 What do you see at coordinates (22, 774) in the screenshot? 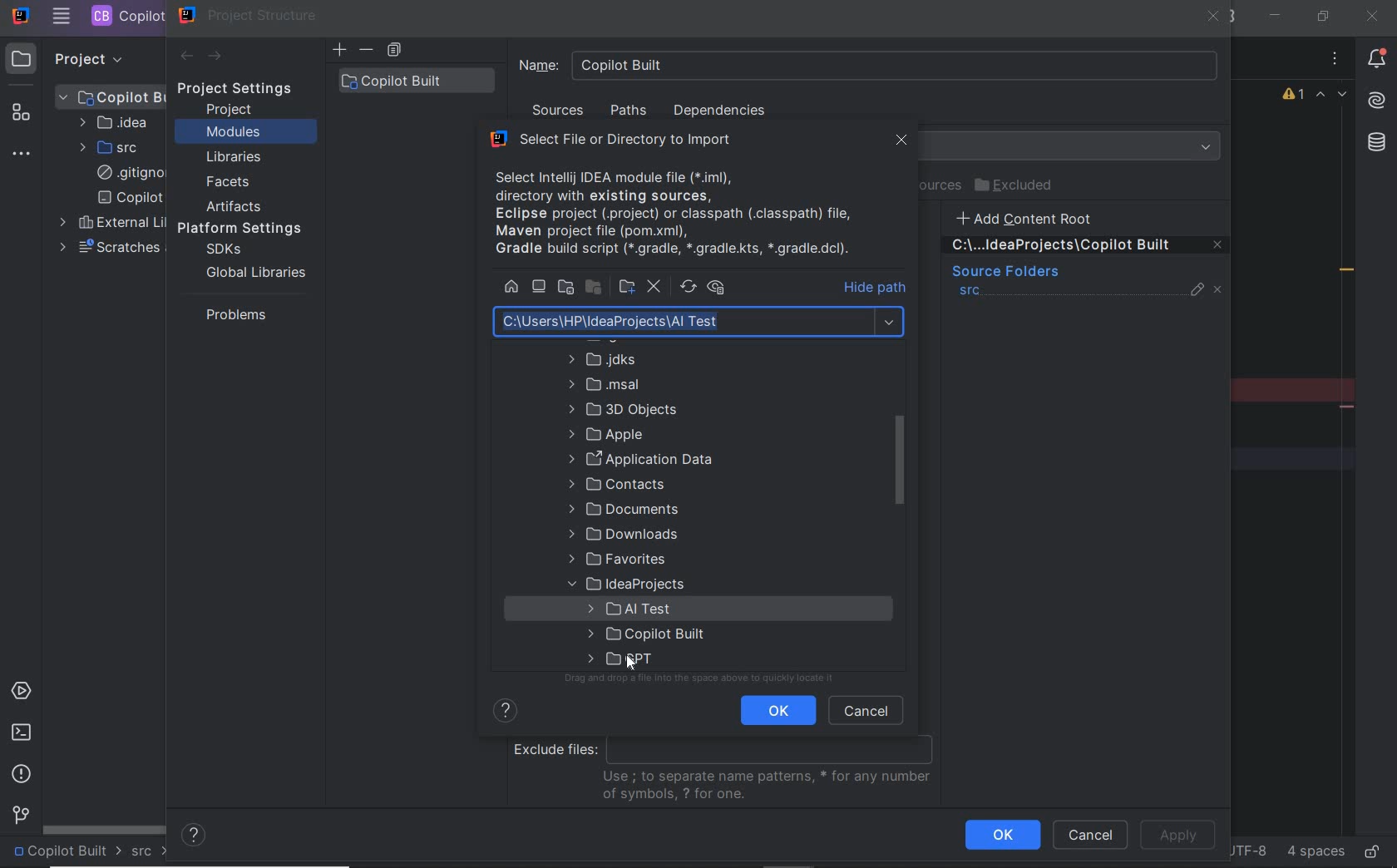
I see `problems` at bounding box center [22, 774].